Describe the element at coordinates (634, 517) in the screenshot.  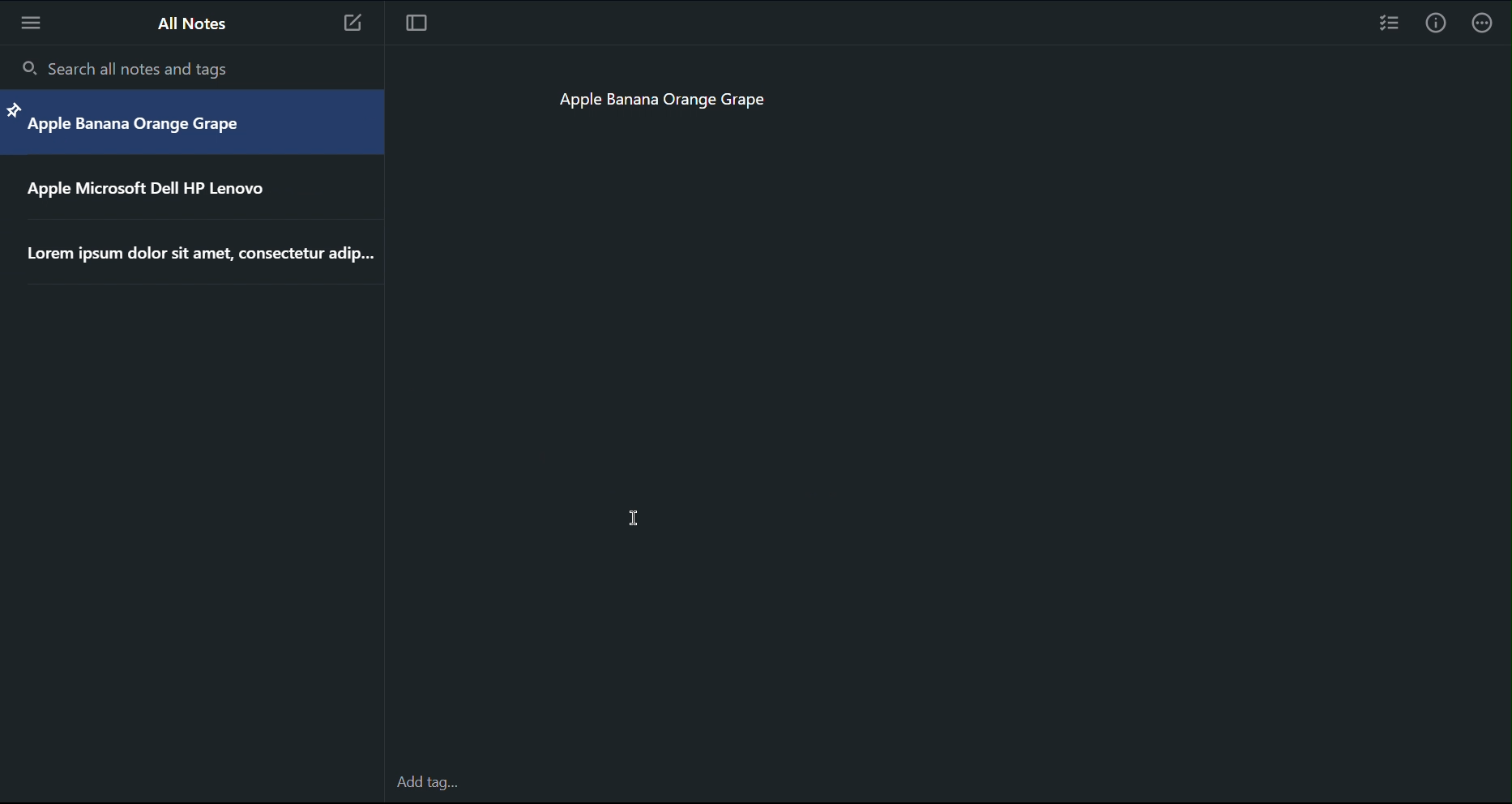
I see `Cursor` at that location.